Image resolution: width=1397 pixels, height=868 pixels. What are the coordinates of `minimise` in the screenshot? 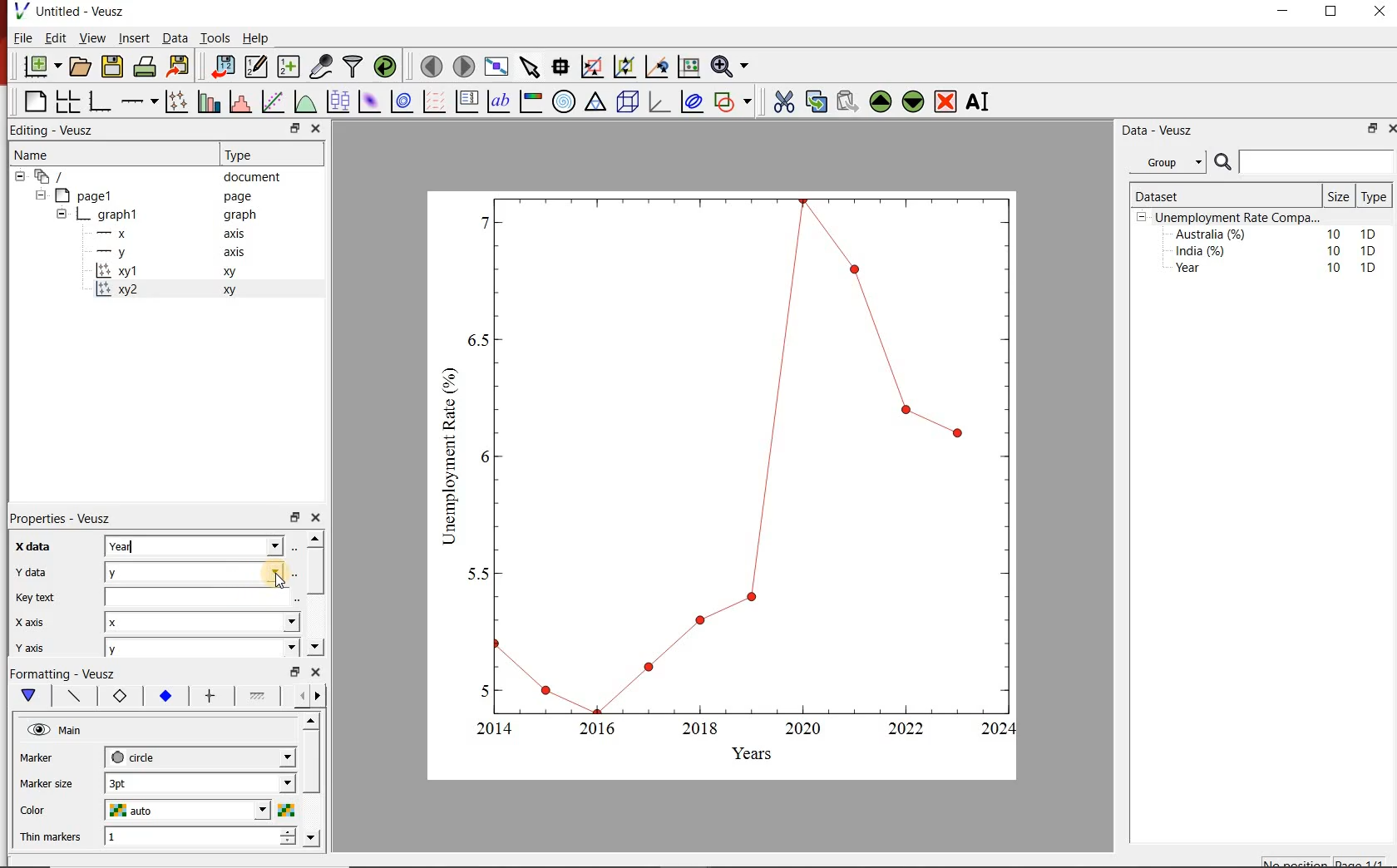 It's located at (295, 670).